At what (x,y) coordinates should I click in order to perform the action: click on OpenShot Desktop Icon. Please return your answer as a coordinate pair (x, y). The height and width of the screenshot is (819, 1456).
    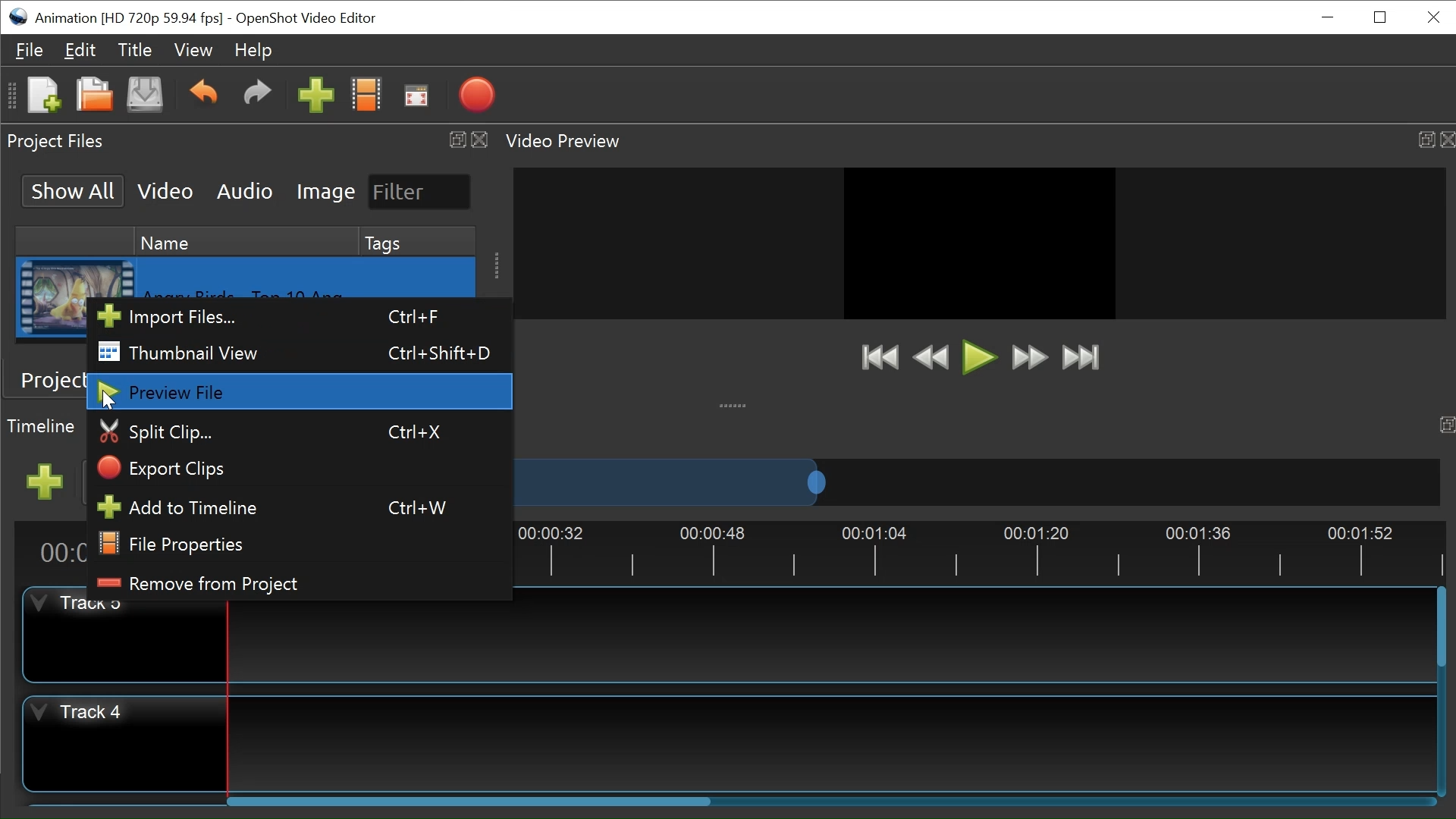
    Looking at the image, I should click on (17, 17).